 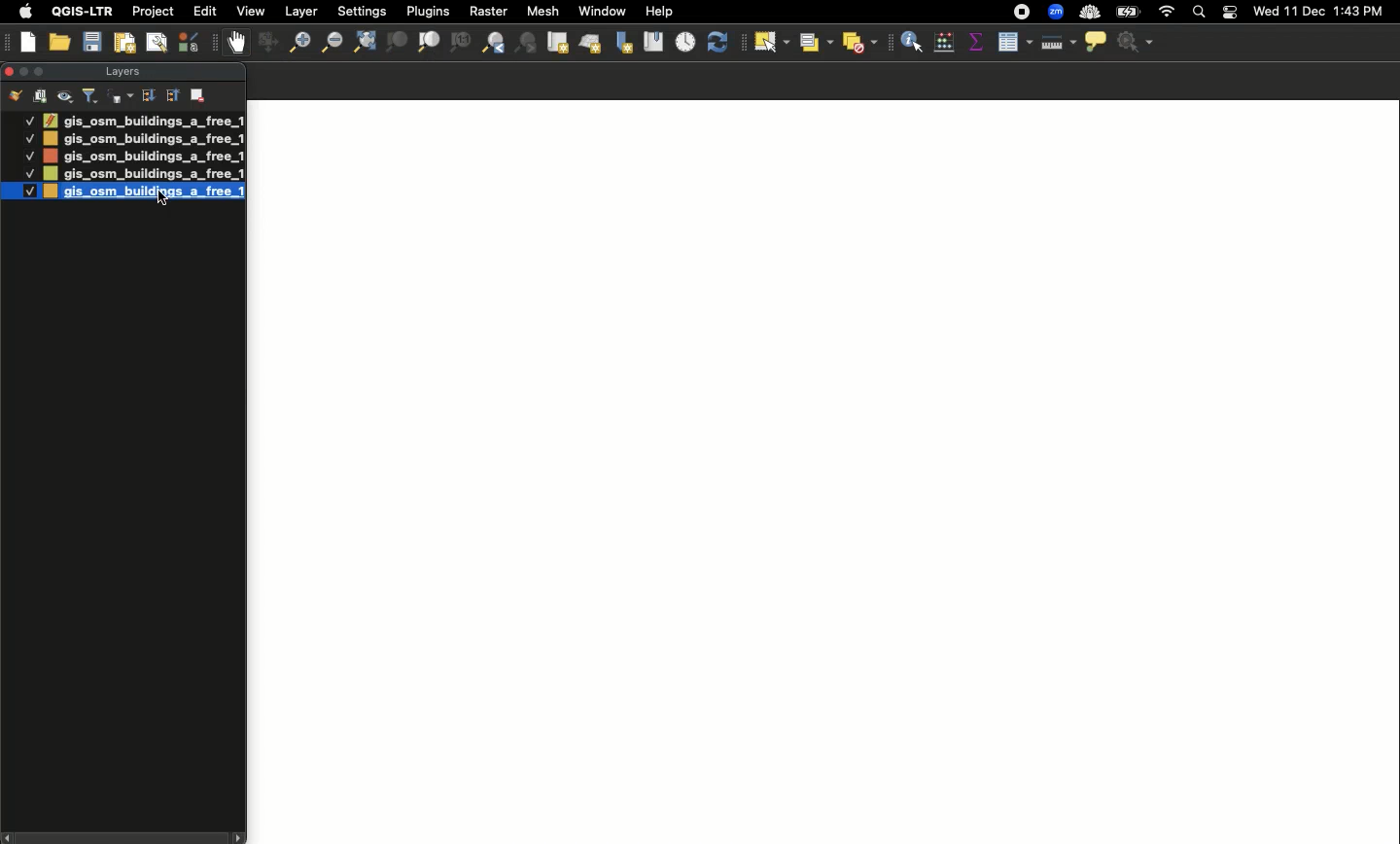 I want to click on battery, so click(x=1132, y=11).